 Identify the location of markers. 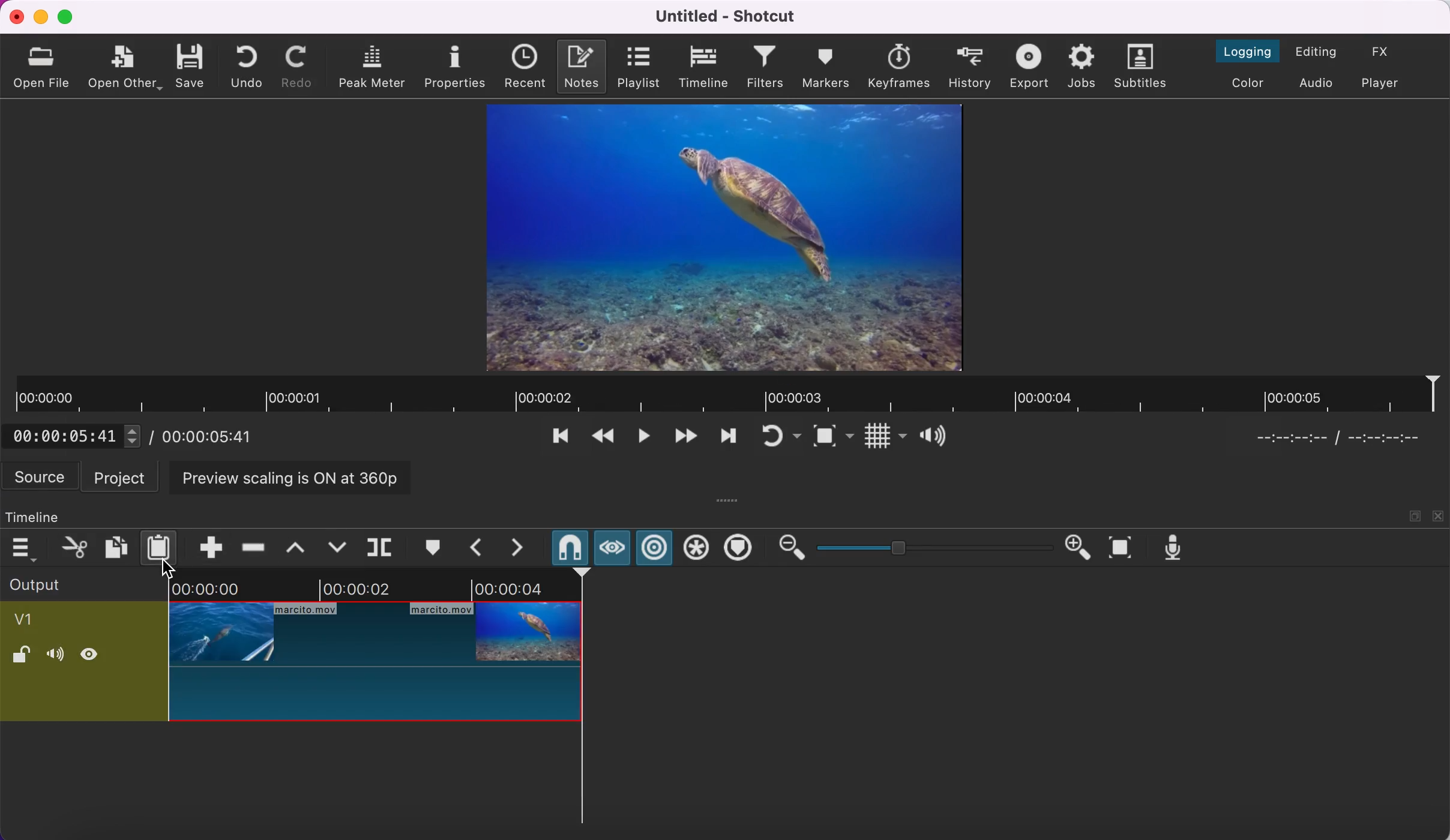
(826, 68).